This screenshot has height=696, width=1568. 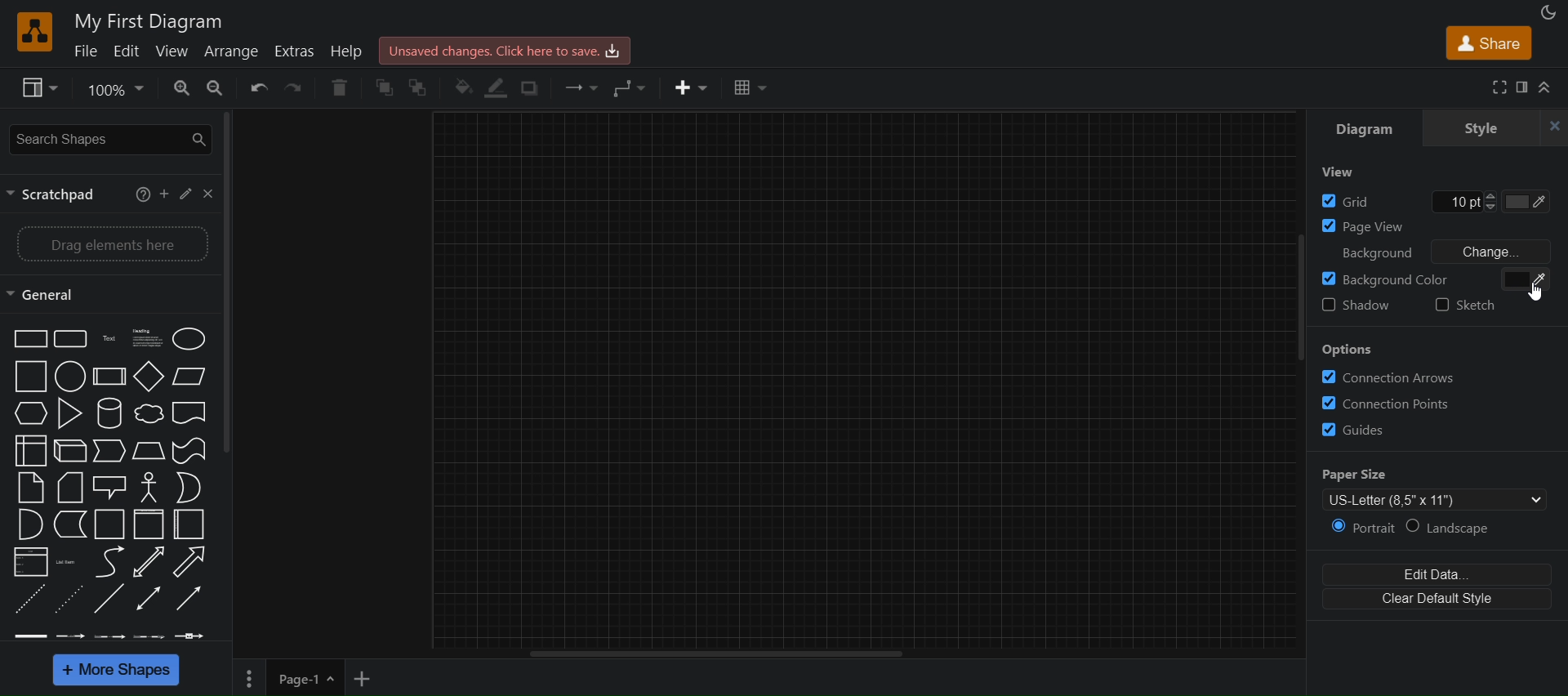 I want to click on cursor, so click(x=1537, y=292).